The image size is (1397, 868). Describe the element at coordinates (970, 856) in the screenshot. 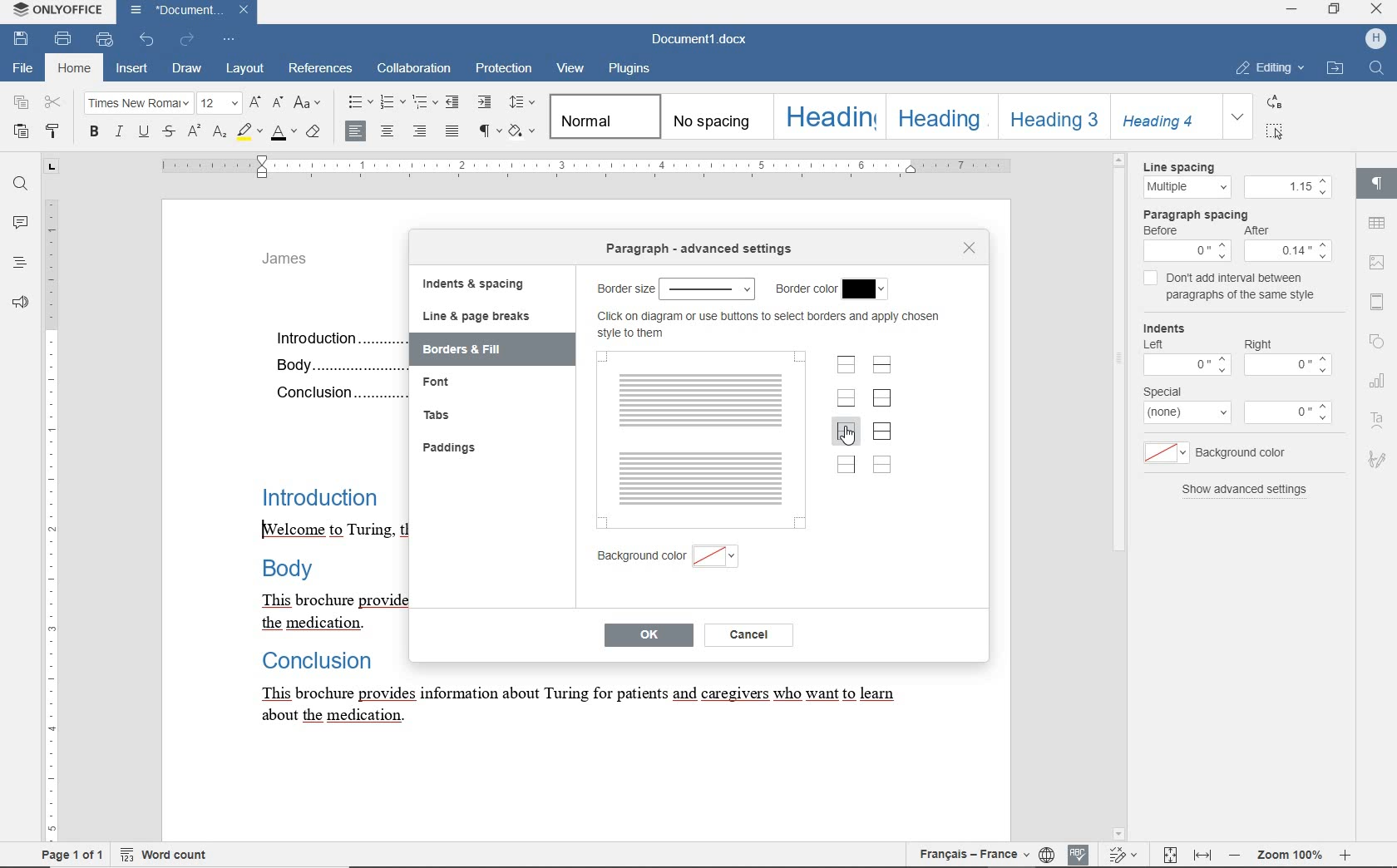

I see `text language` at that location.